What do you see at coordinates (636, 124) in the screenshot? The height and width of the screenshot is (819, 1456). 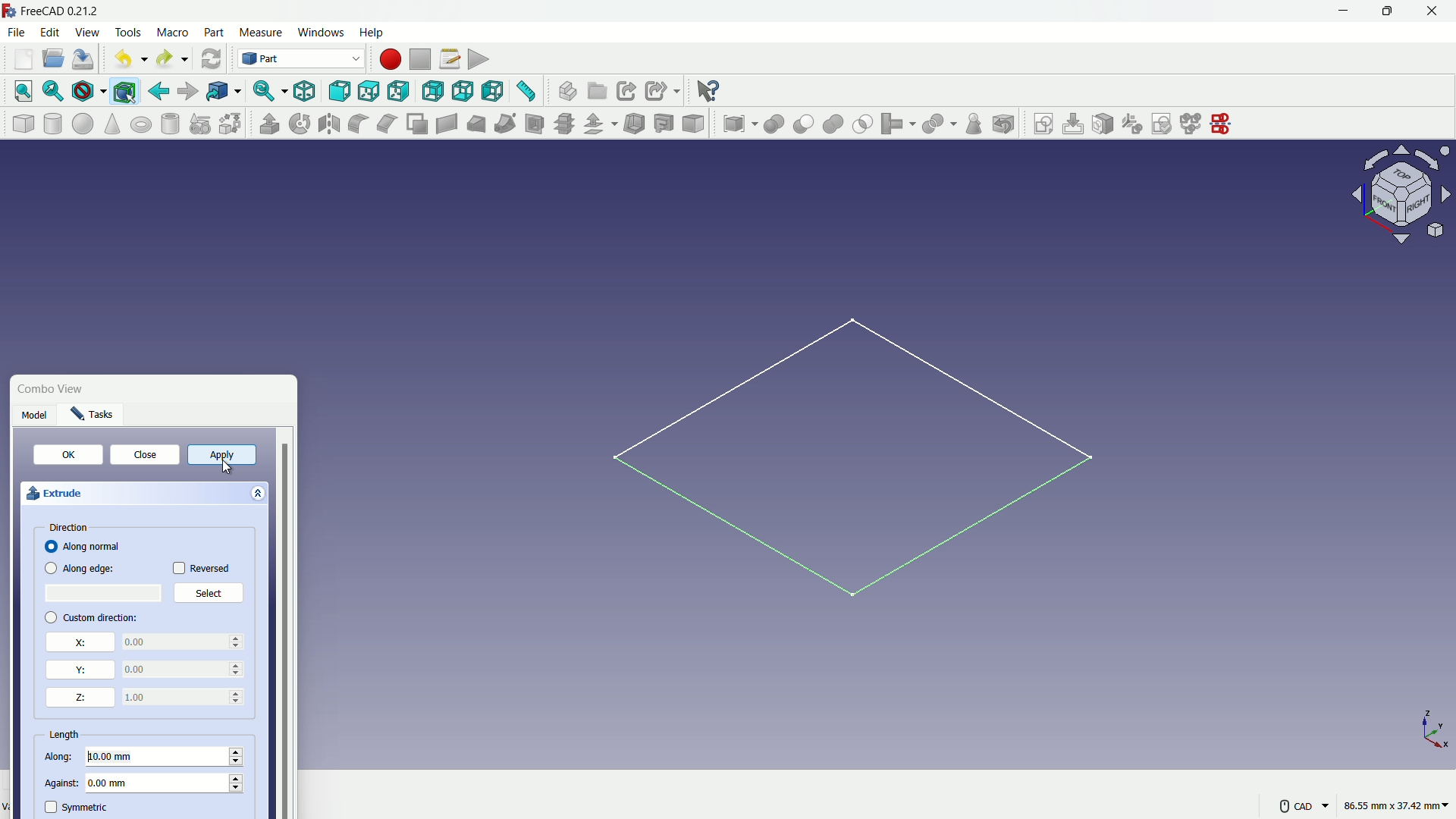 I see `thickness` at bounding box center [636, 124].